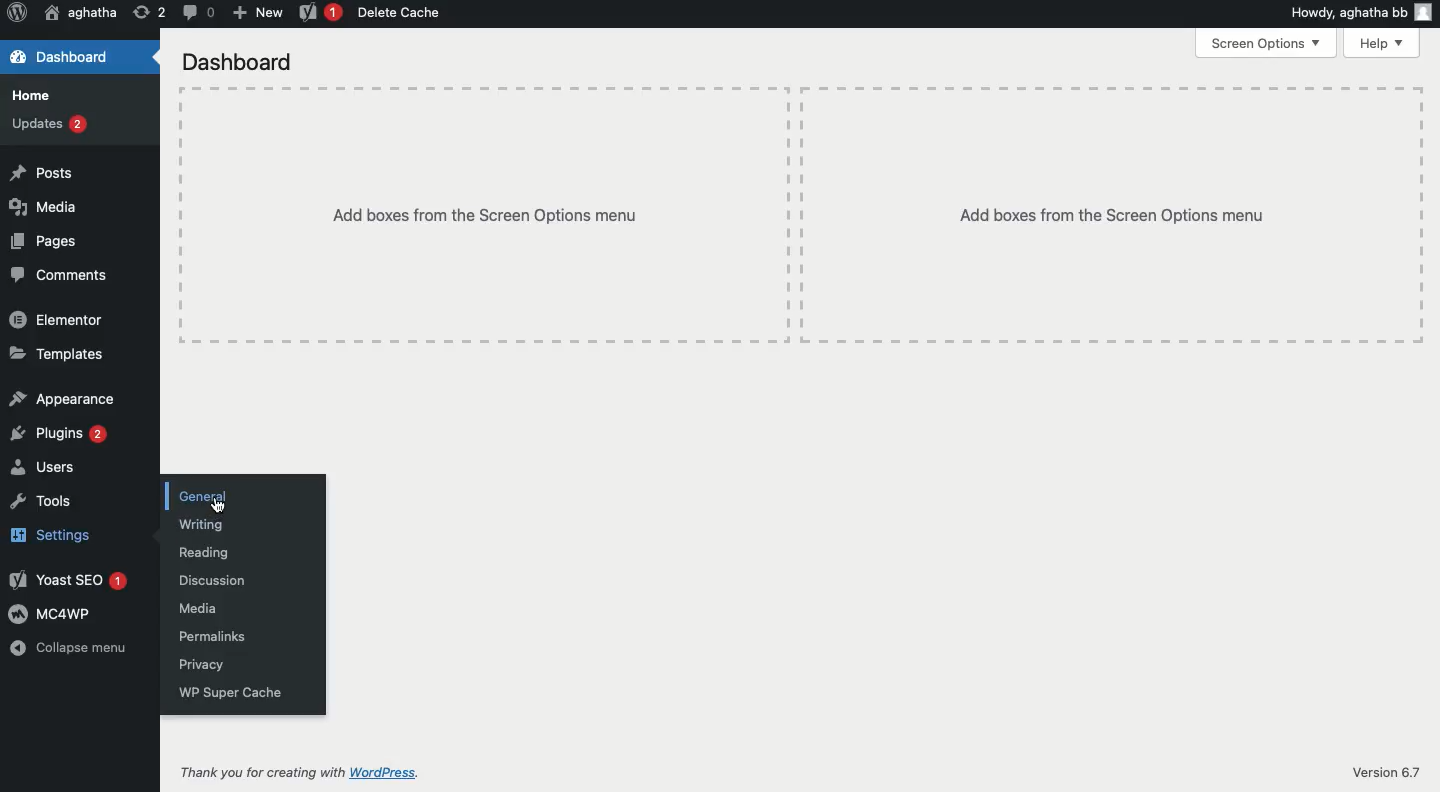 The image size is (1440, 792). What do you see at coordinates (1383, 44) in the screenshot?
I see `Help` at bounding box center [1383, 44].